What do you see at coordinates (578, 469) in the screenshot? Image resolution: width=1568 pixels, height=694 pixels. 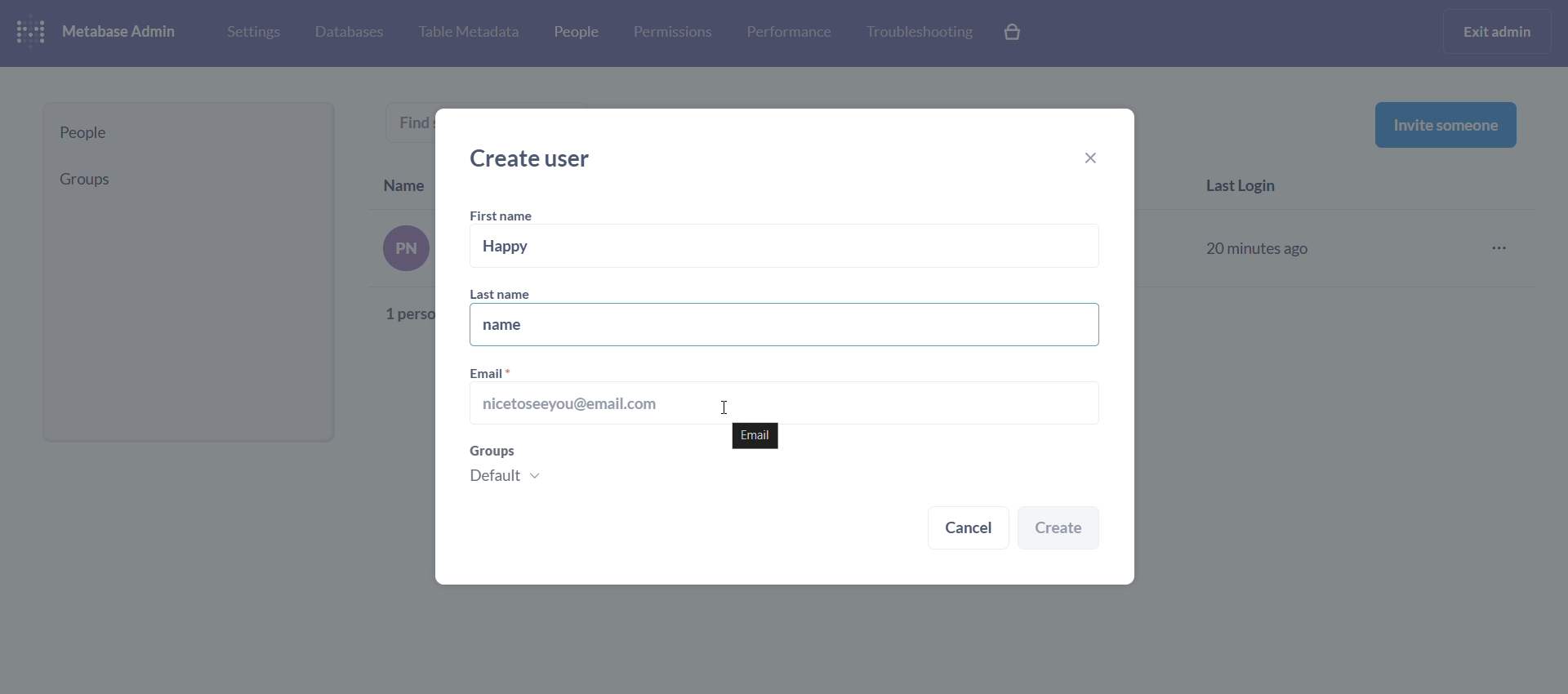 I see `groups` at bounding box center [578, 469].